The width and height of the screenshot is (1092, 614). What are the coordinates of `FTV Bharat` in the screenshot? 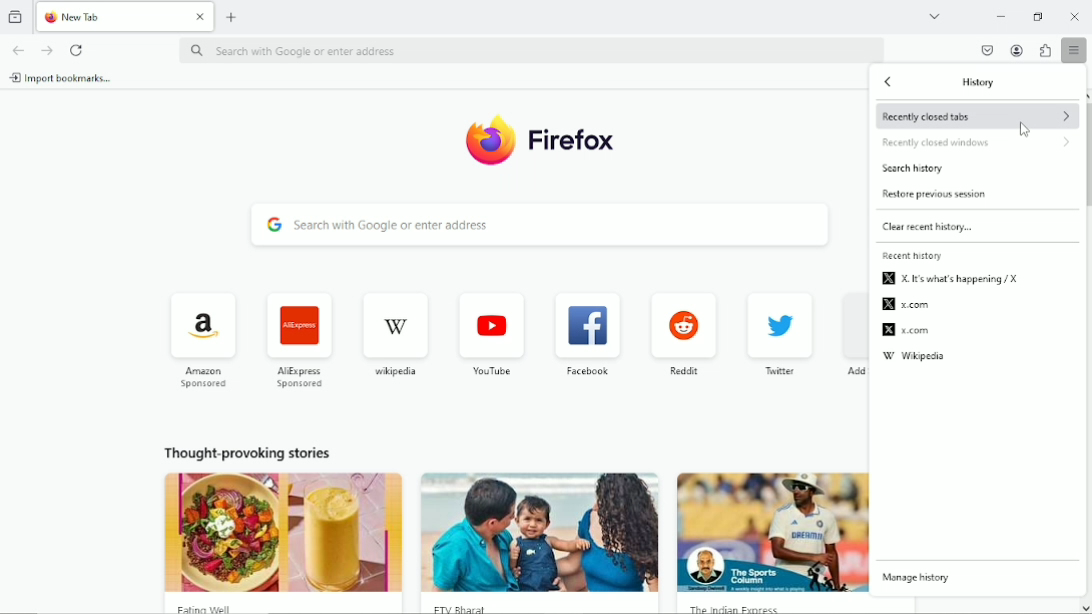 It's located at (540, 604).